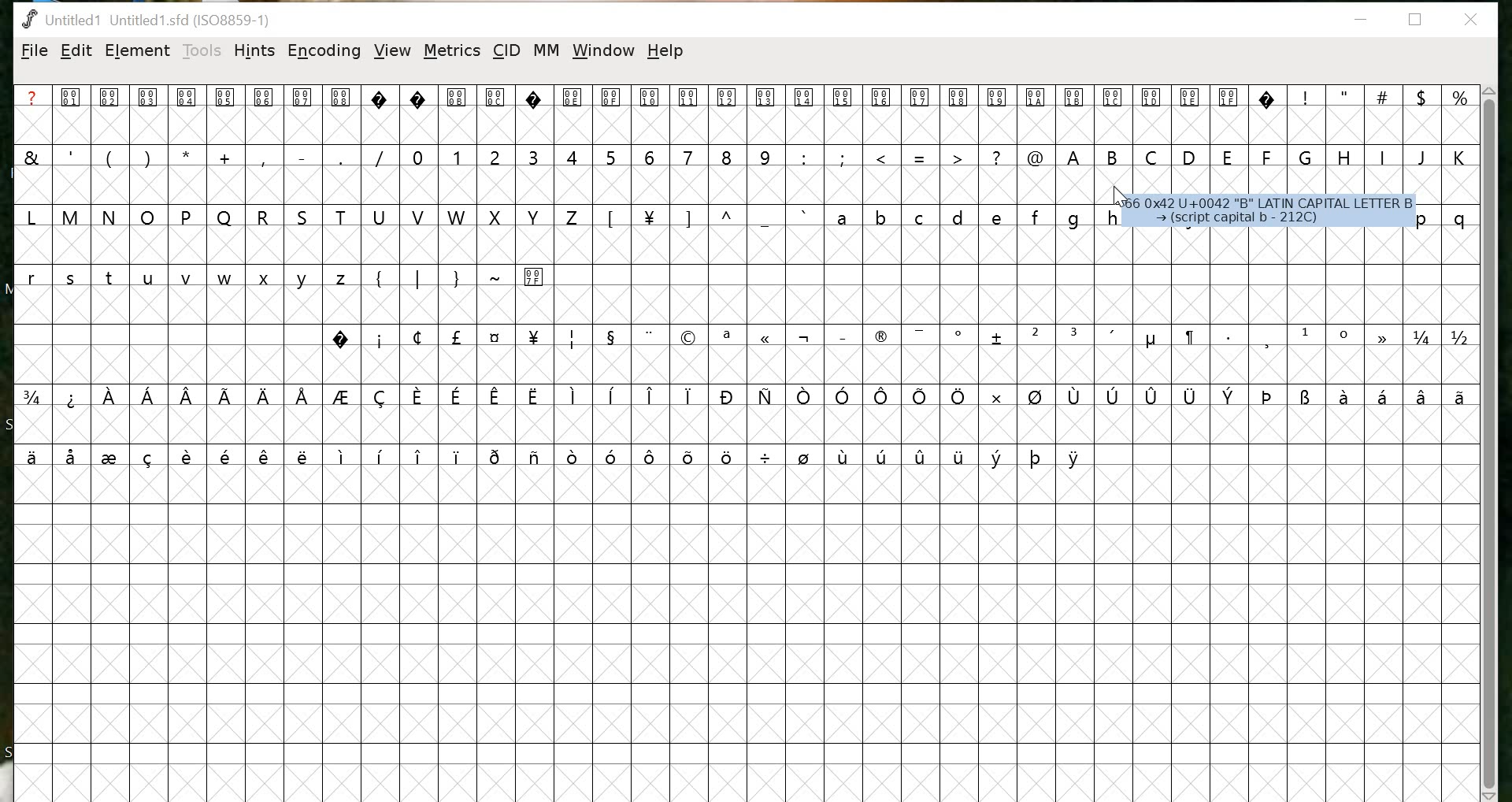 Image resolution: width=1512 pixels, height=802 pixels. I want to click on MM, so click(547, 51).